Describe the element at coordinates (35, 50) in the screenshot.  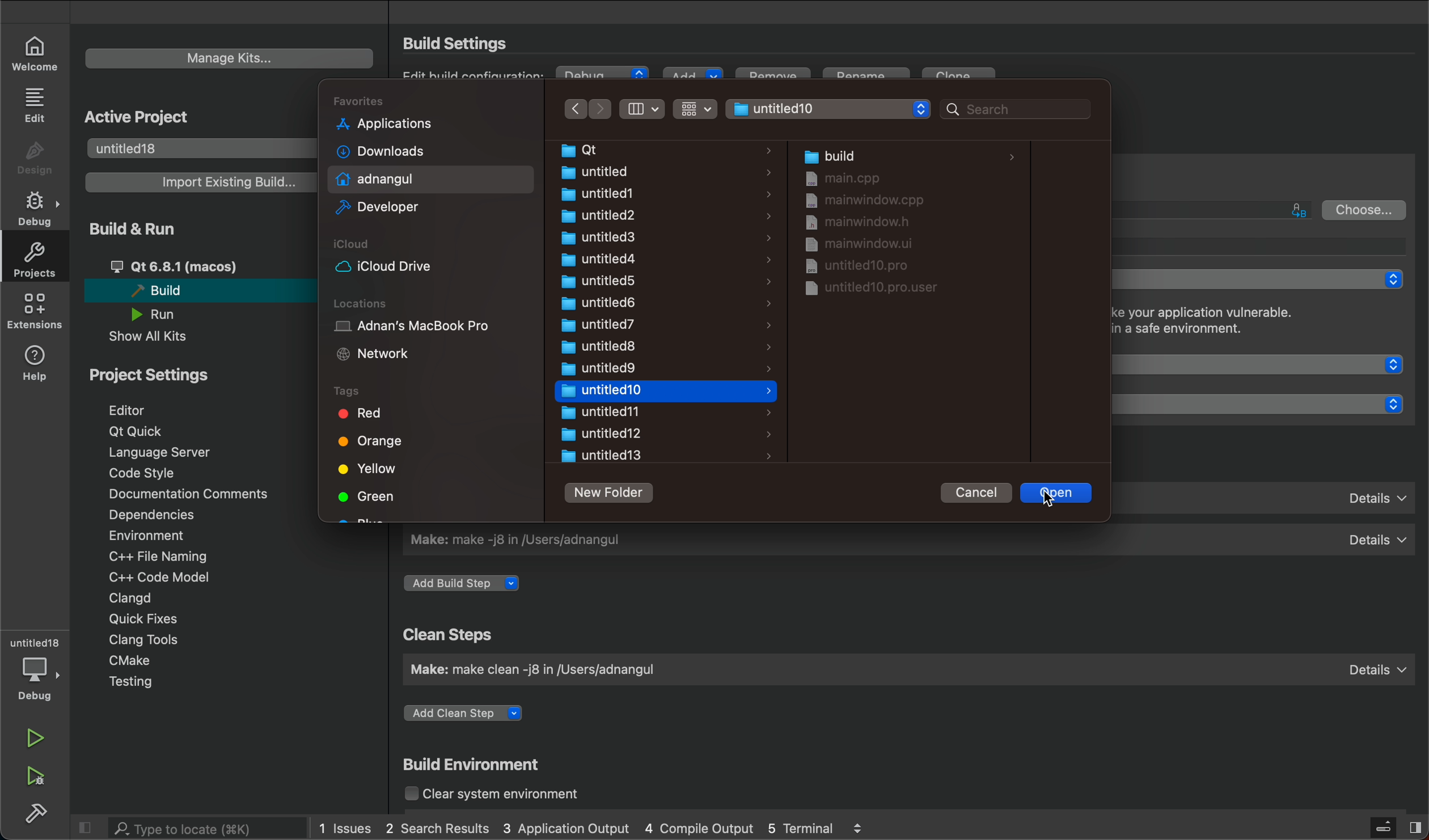
I see `welcome` at that location.